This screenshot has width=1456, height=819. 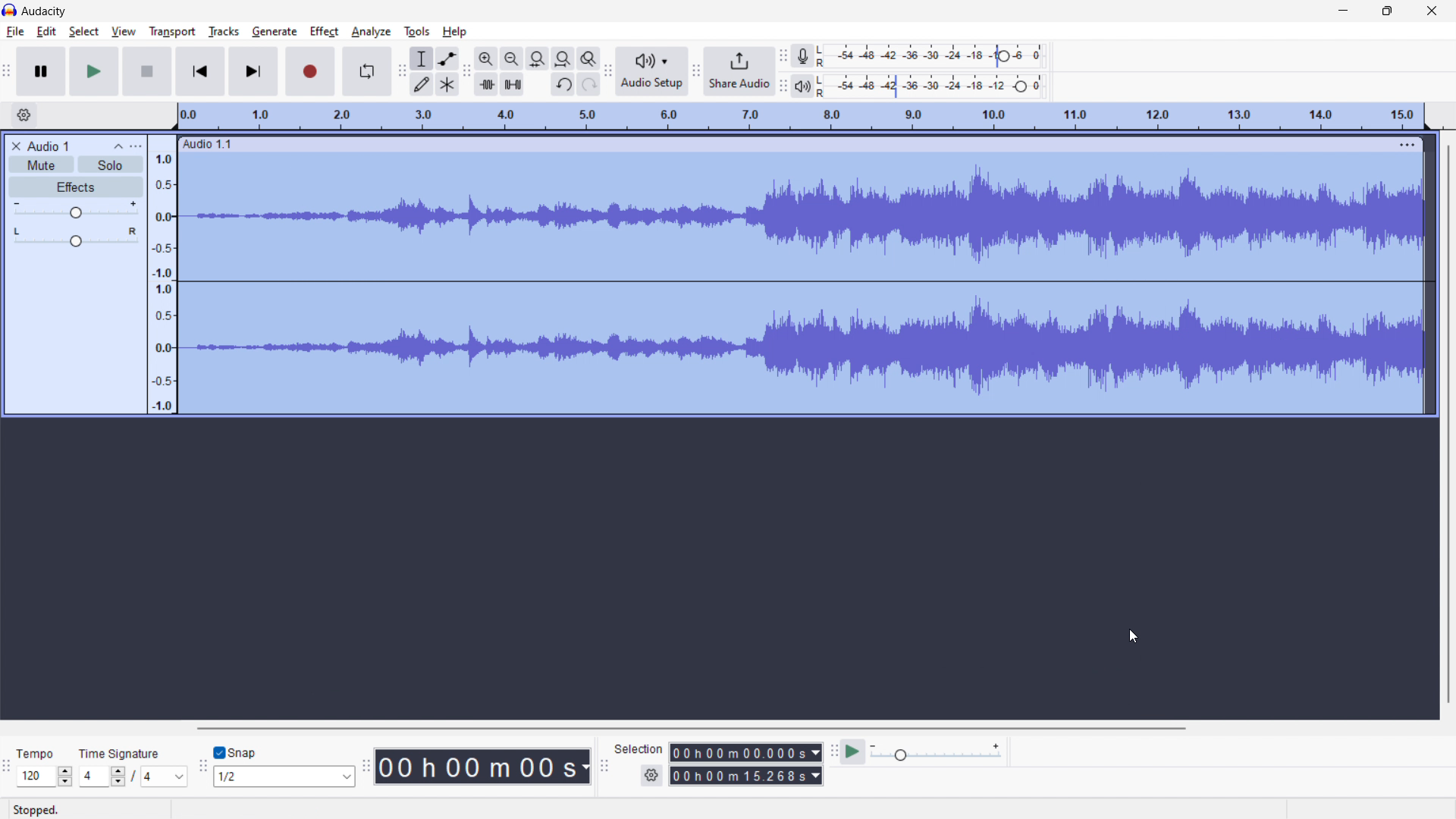 What do you see at coordinates (224, 32) in the screenshot?
I see `tracks` at bounding box center [224, 32].